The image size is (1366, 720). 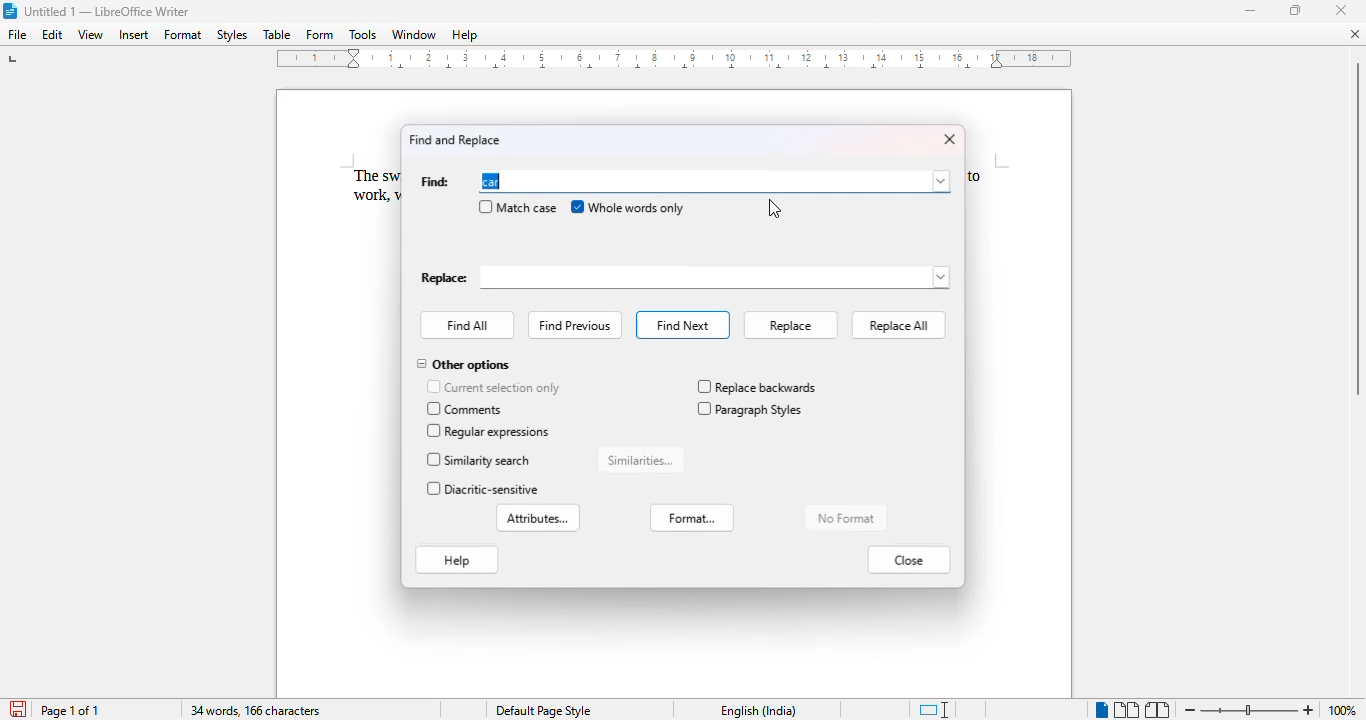 What do you see at coordinates (231, 35) in the screenshot?
I see `styles` at bounding box center [231, 35].